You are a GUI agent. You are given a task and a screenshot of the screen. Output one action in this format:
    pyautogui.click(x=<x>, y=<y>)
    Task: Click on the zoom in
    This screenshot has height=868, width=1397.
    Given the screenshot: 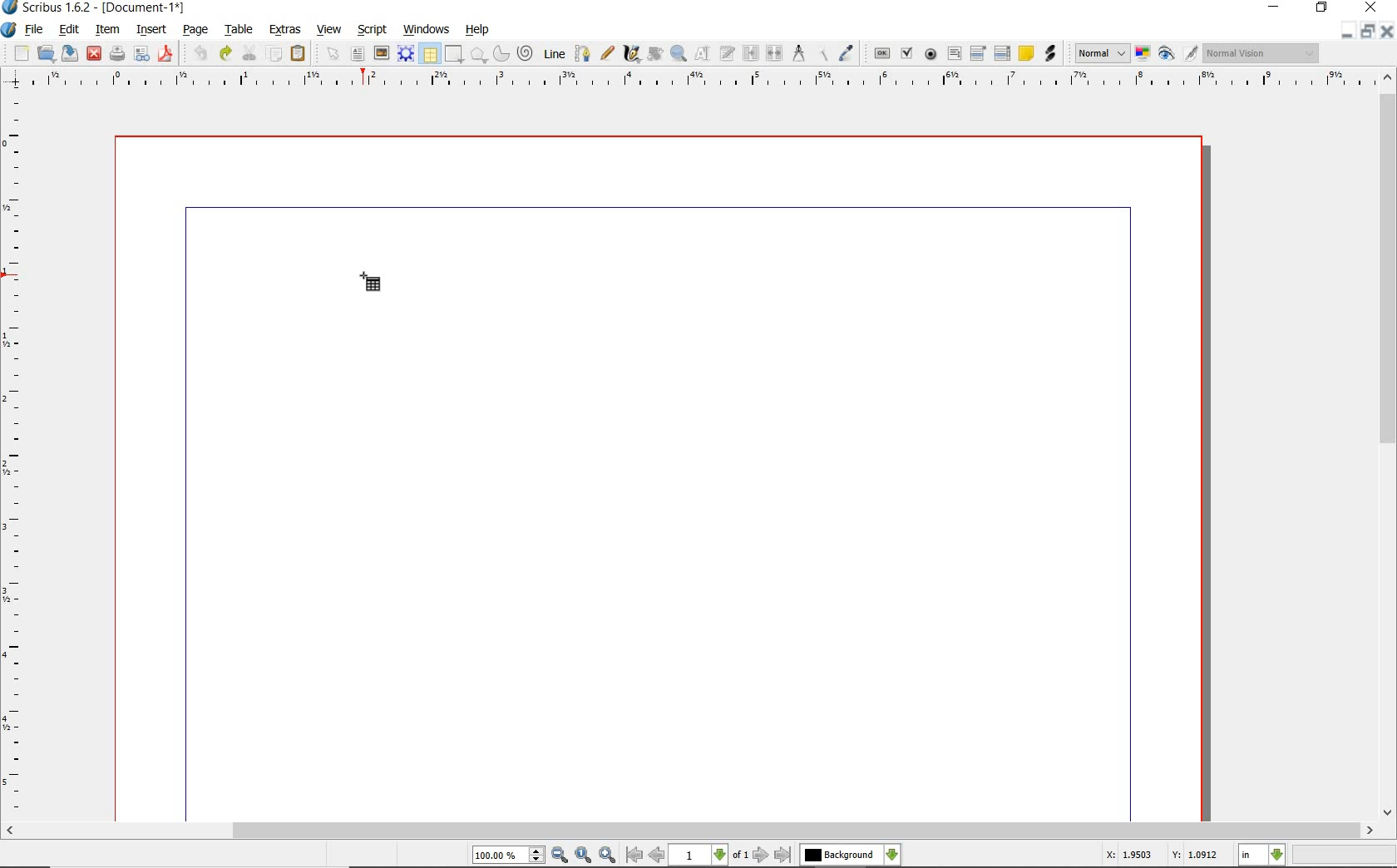 What is the action you would take?
    pyautogui.click(x=608, y=856)
    